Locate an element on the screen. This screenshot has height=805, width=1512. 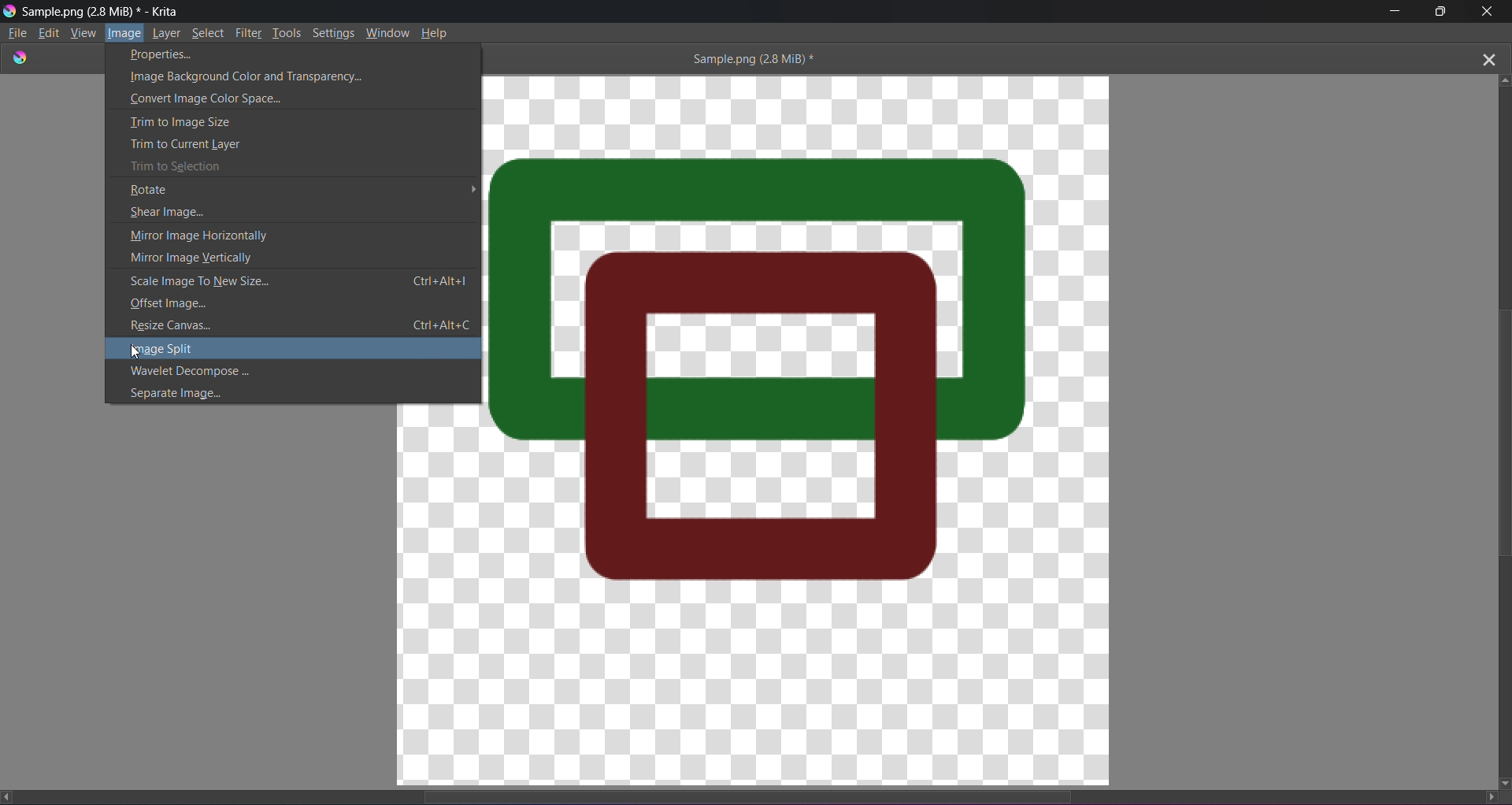
Offset Image is located at coordinates (283, 304).